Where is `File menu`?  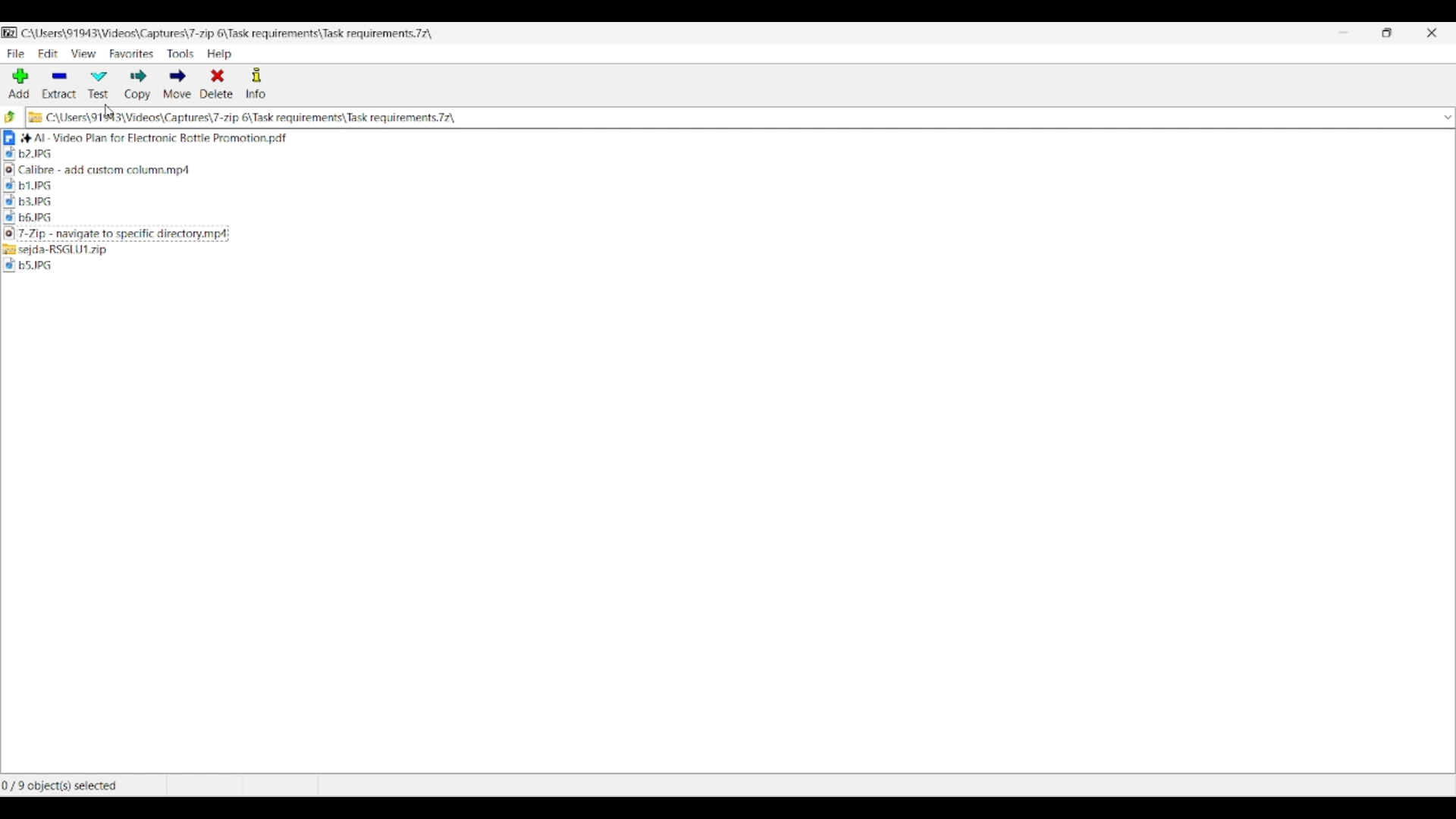 File menu is located at coordinates (16, 54).